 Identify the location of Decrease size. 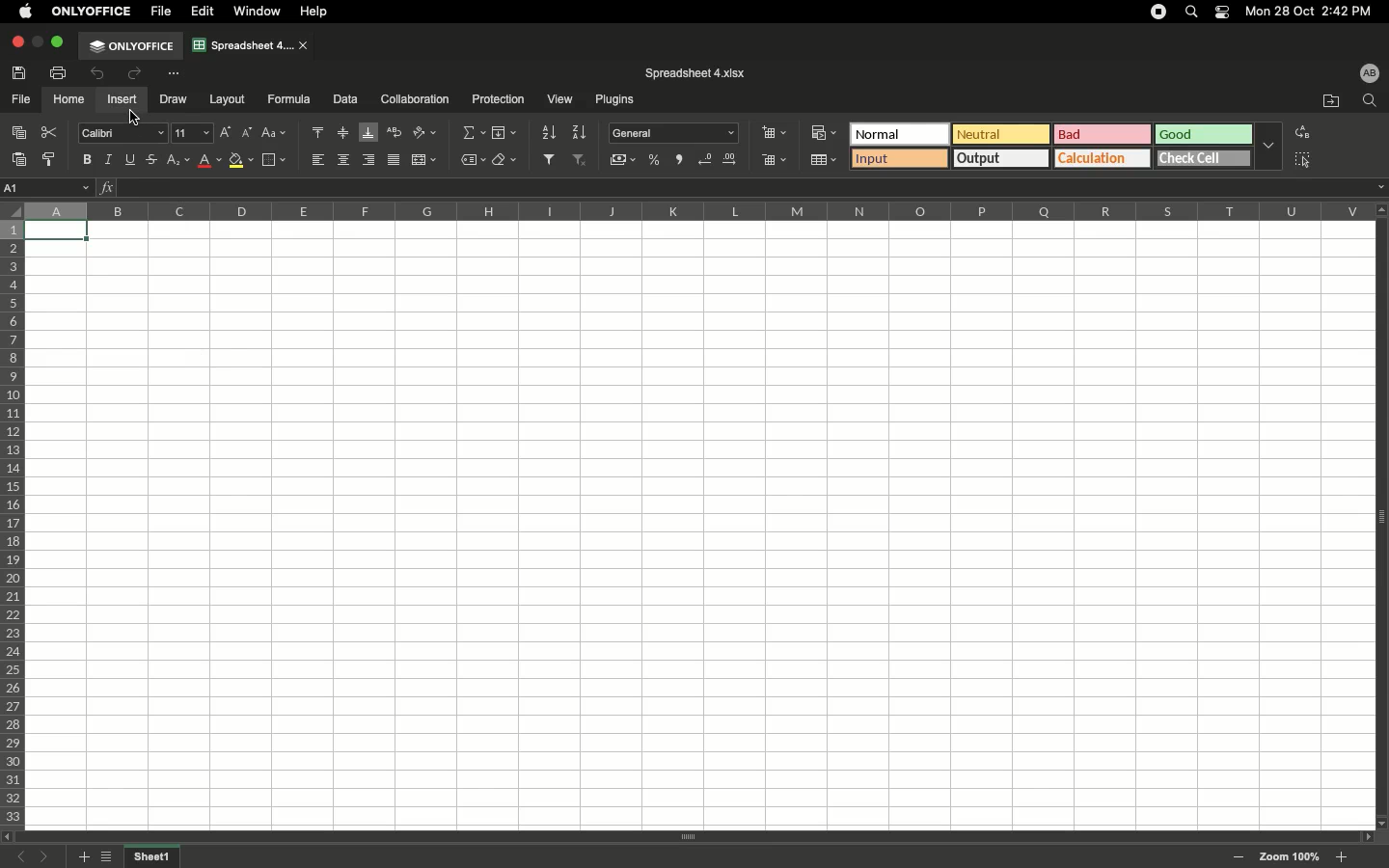
(249, 135).